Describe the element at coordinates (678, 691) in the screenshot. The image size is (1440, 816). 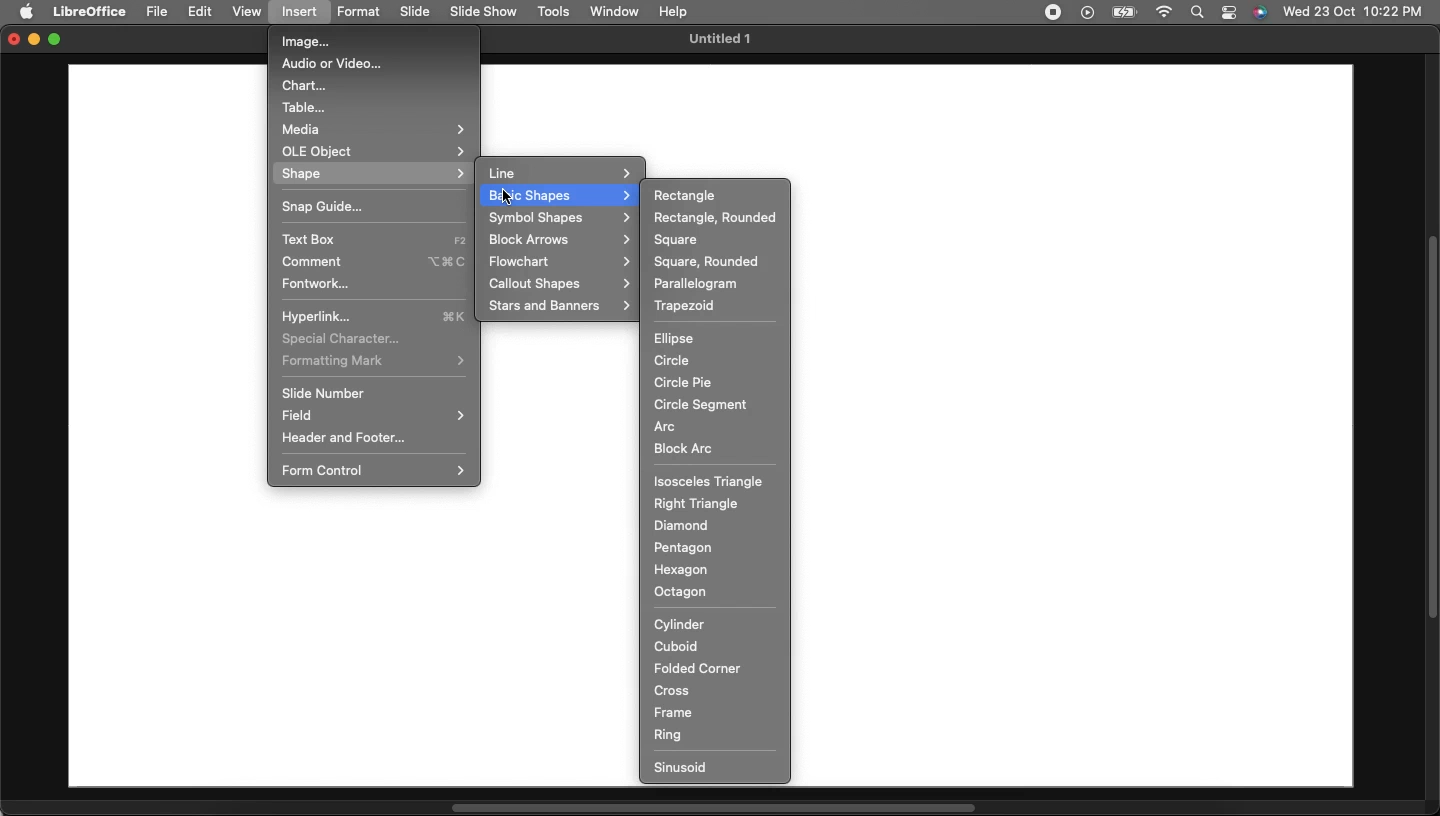
I see `Cross` at that location.